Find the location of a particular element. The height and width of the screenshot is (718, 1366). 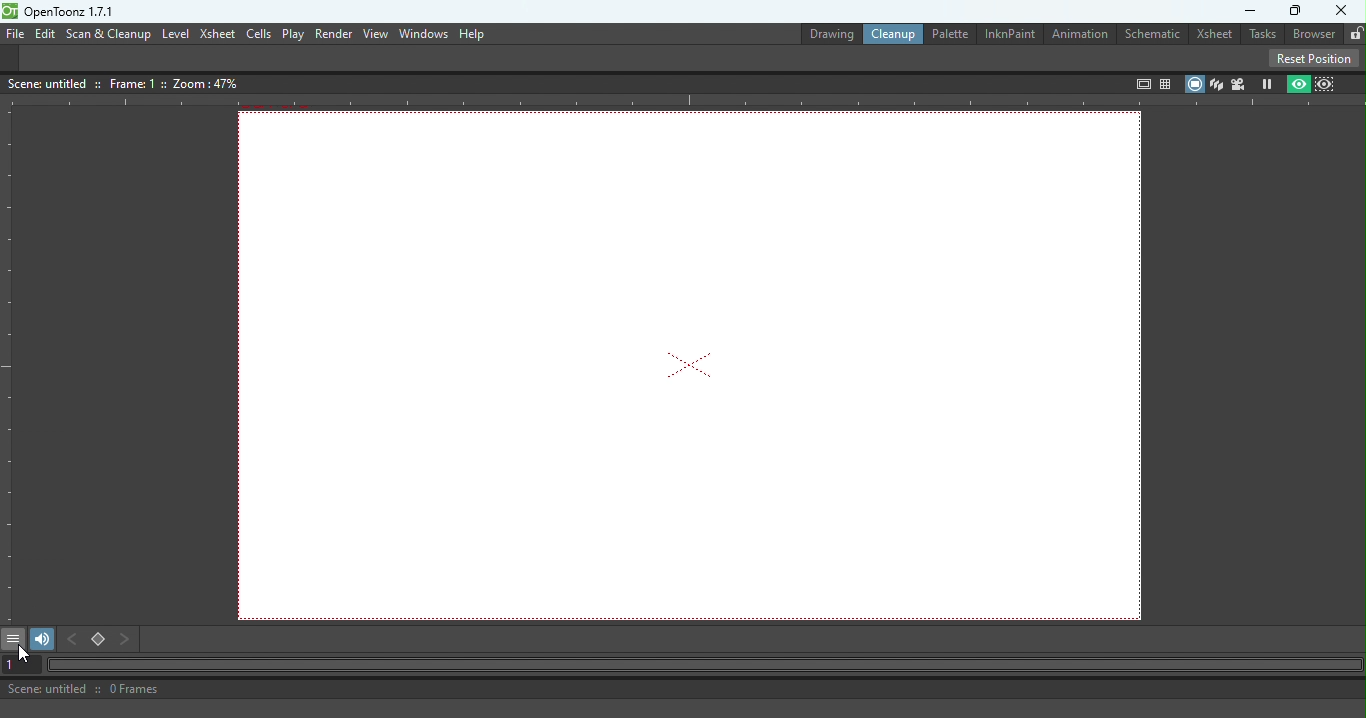

3D View is located at coordinates (1216, 82).